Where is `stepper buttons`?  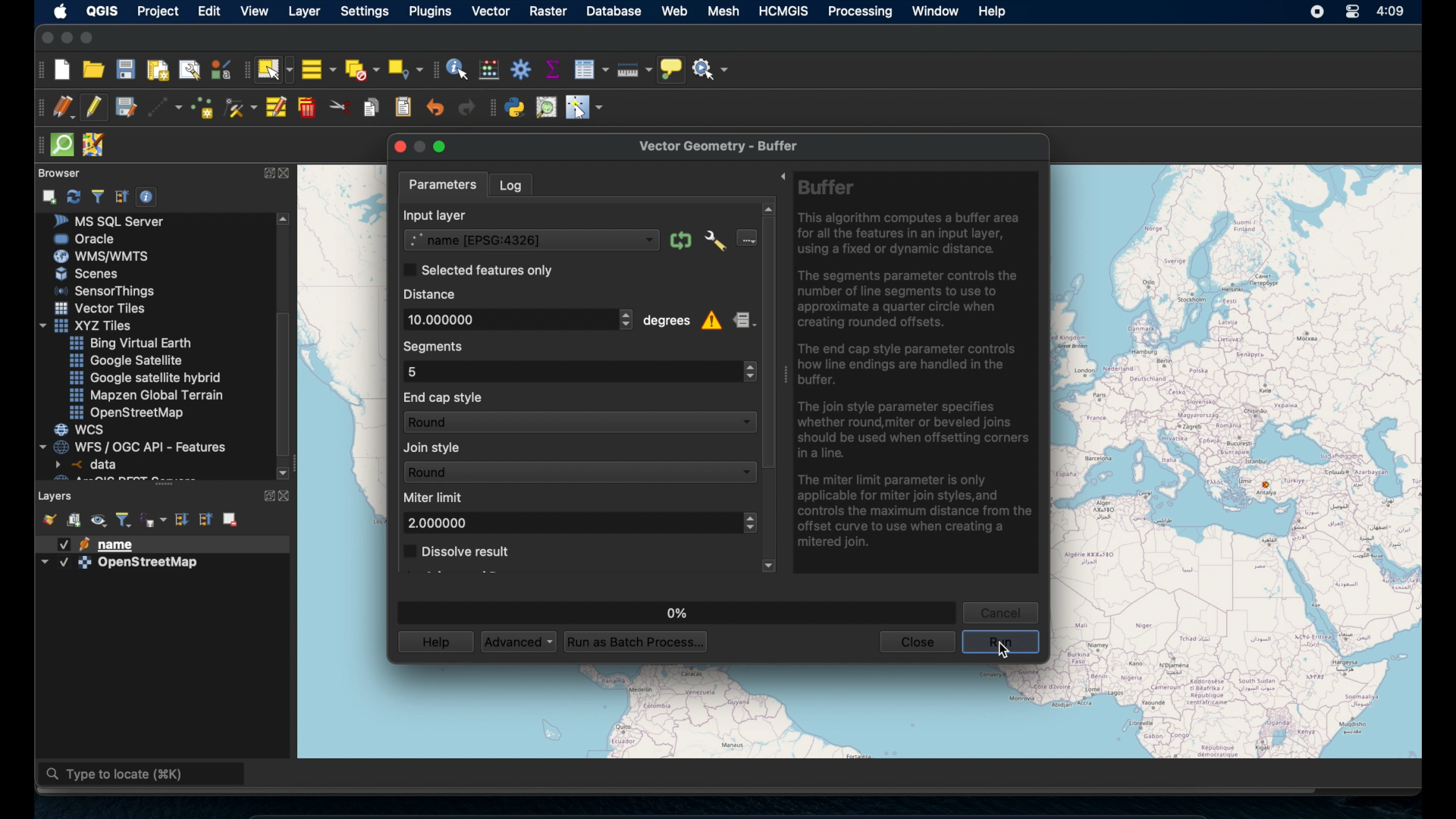 stepper buttons is located at coordinates (748, 522).